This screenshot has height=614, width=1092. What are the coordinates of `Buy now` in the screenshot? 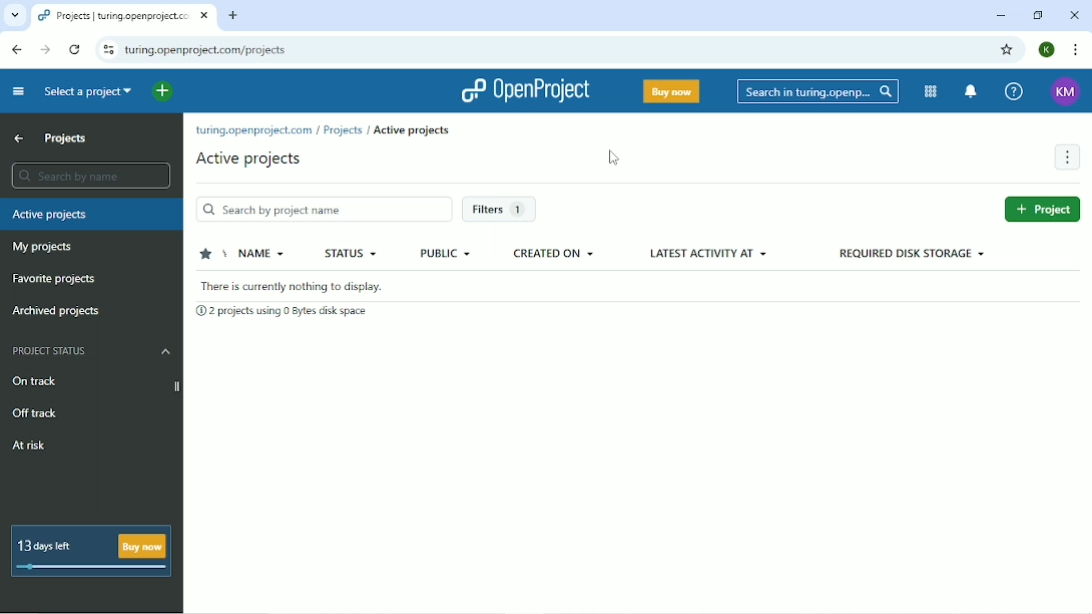 It's located at (670, 91).